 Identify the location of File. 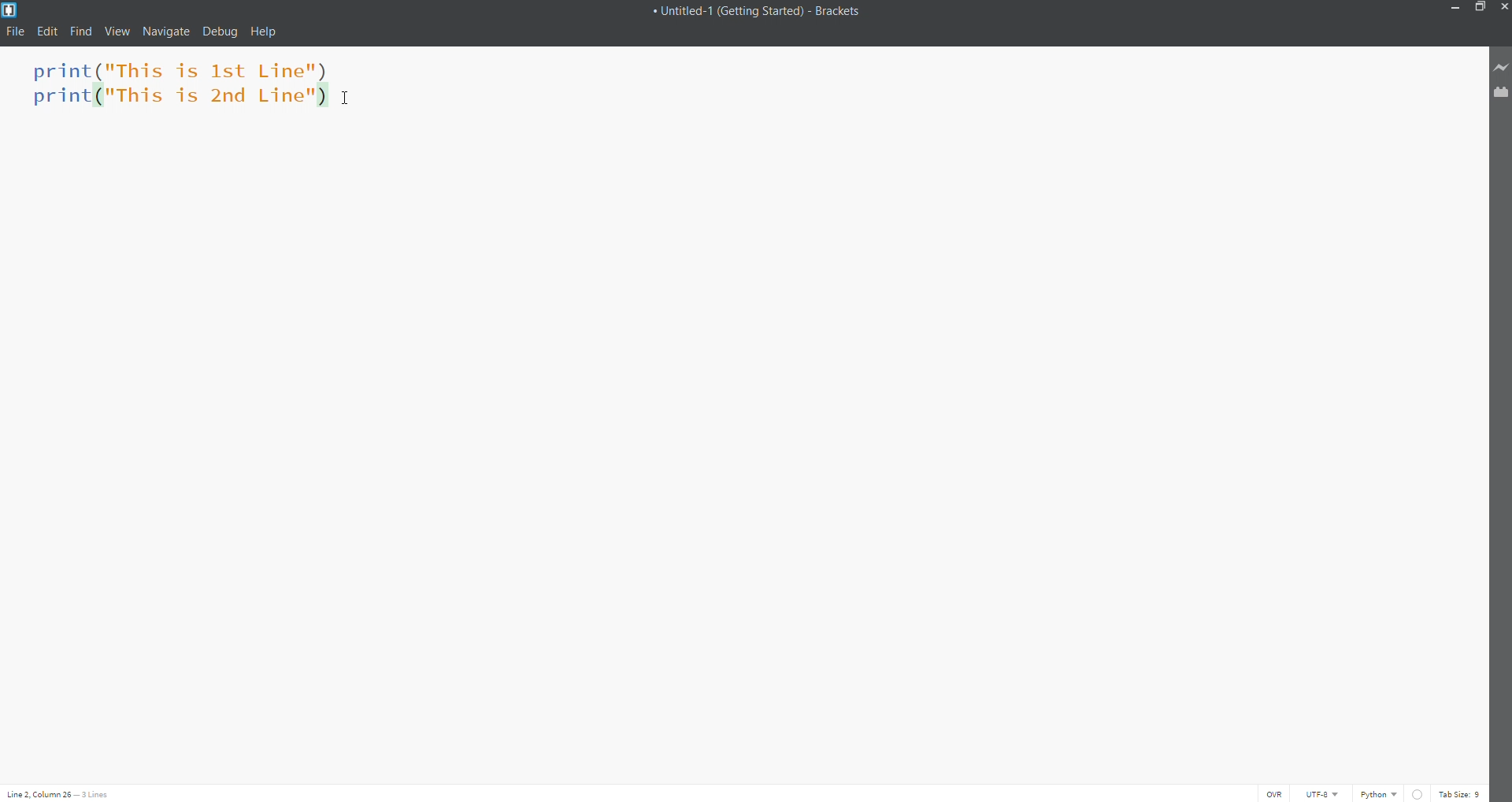
(17, 30).